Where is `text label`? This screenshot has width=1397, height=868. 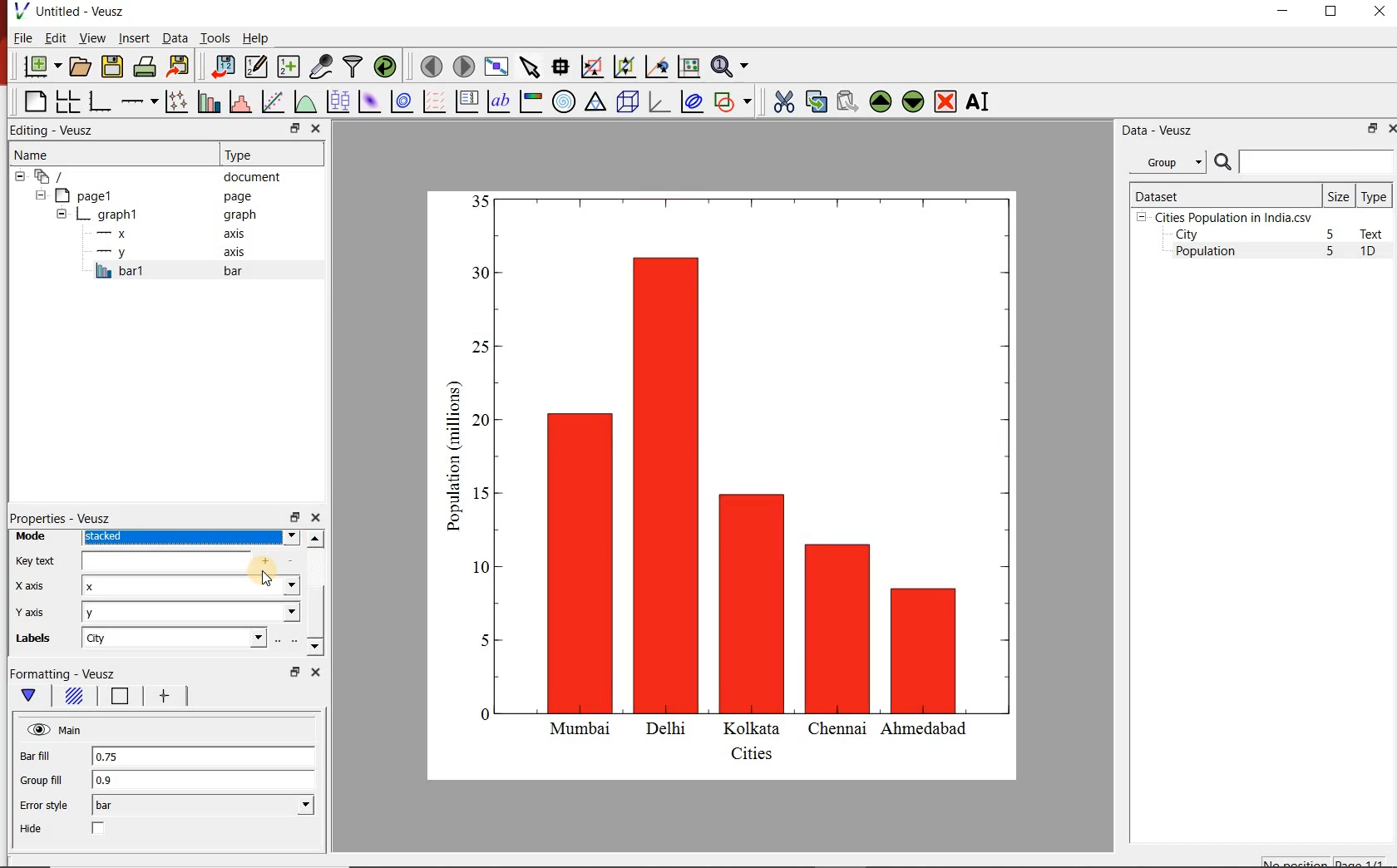 text label is located at coordinates (498, 101).